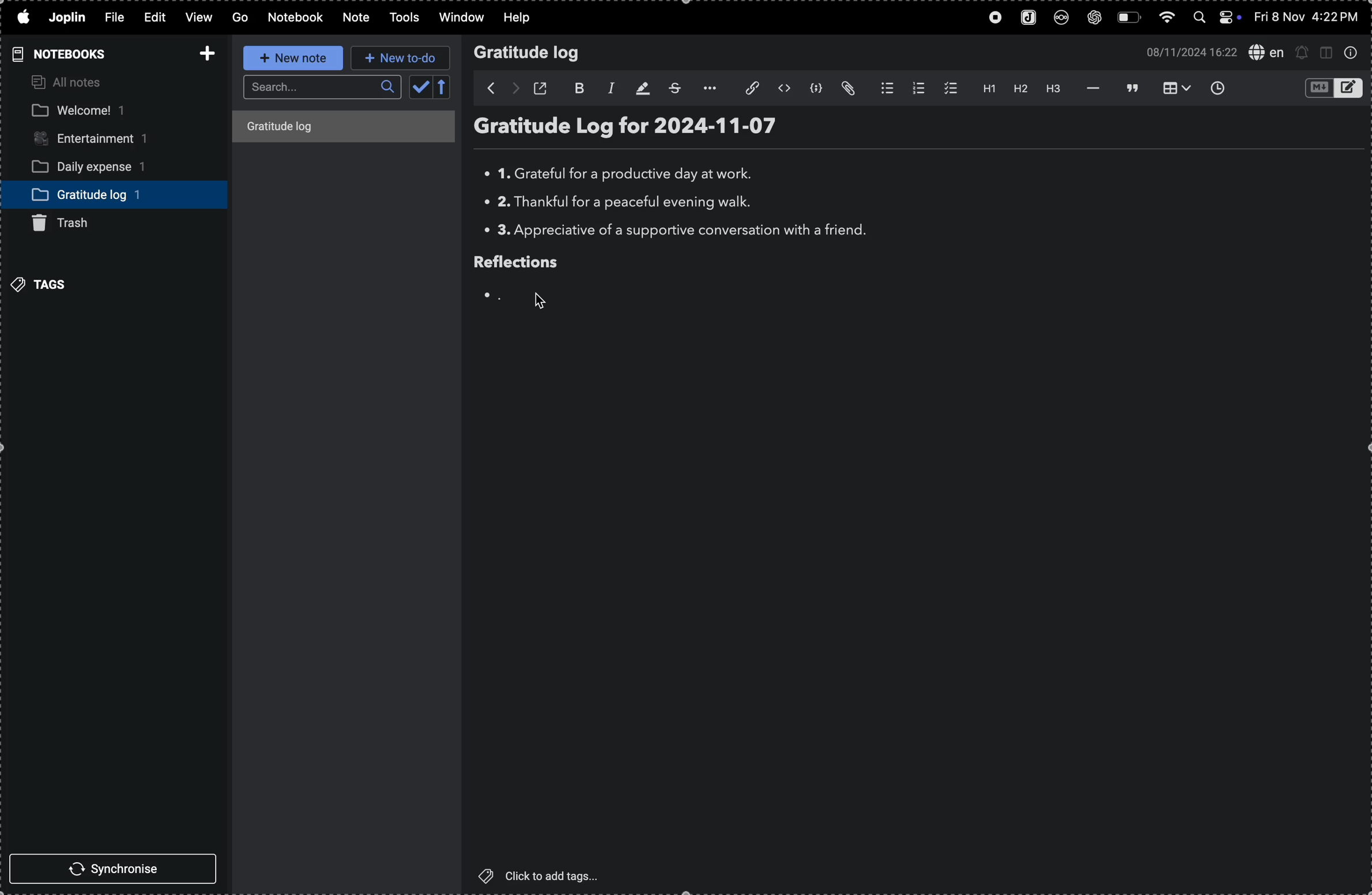 The image size is (1372, 895). I want to click on joplin menu, so click(66, 18).